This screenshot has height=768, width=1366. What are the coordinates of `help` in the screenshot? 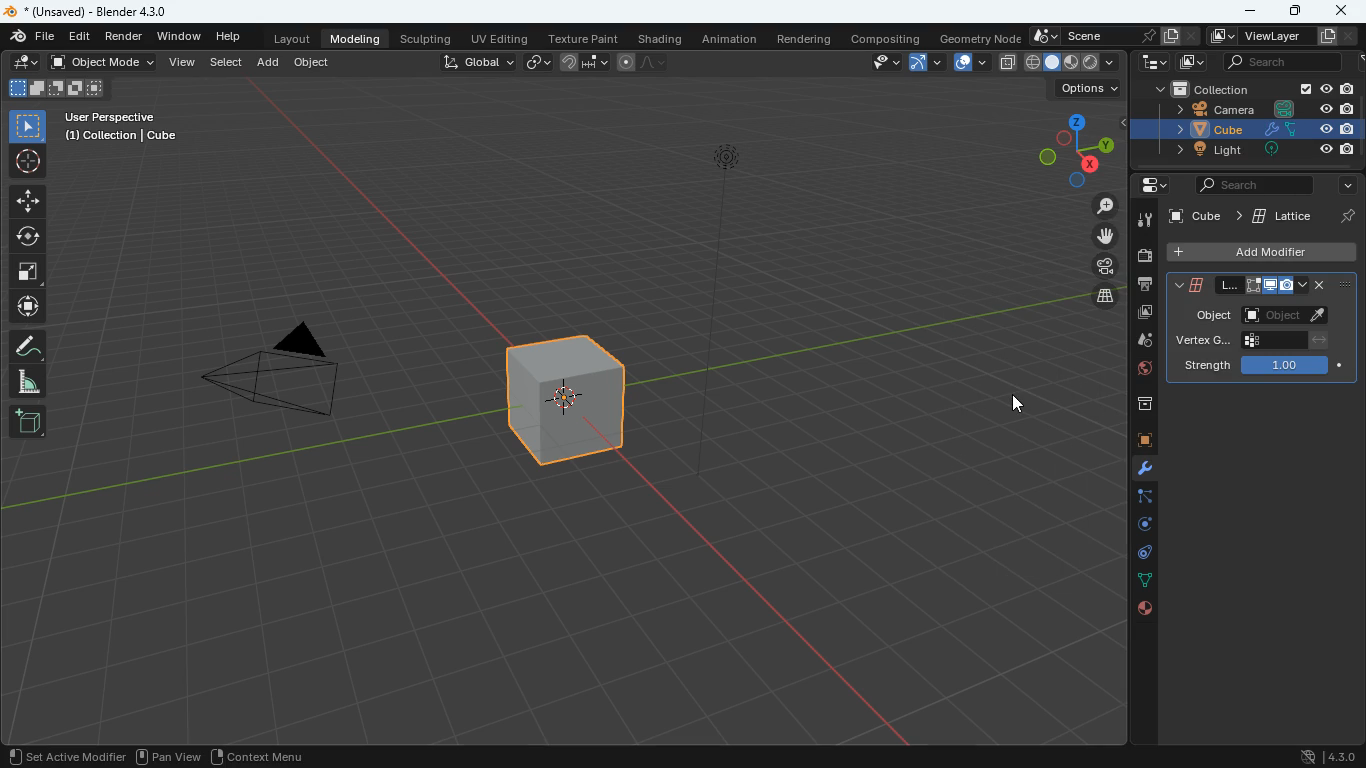 It's located at (233, 36).